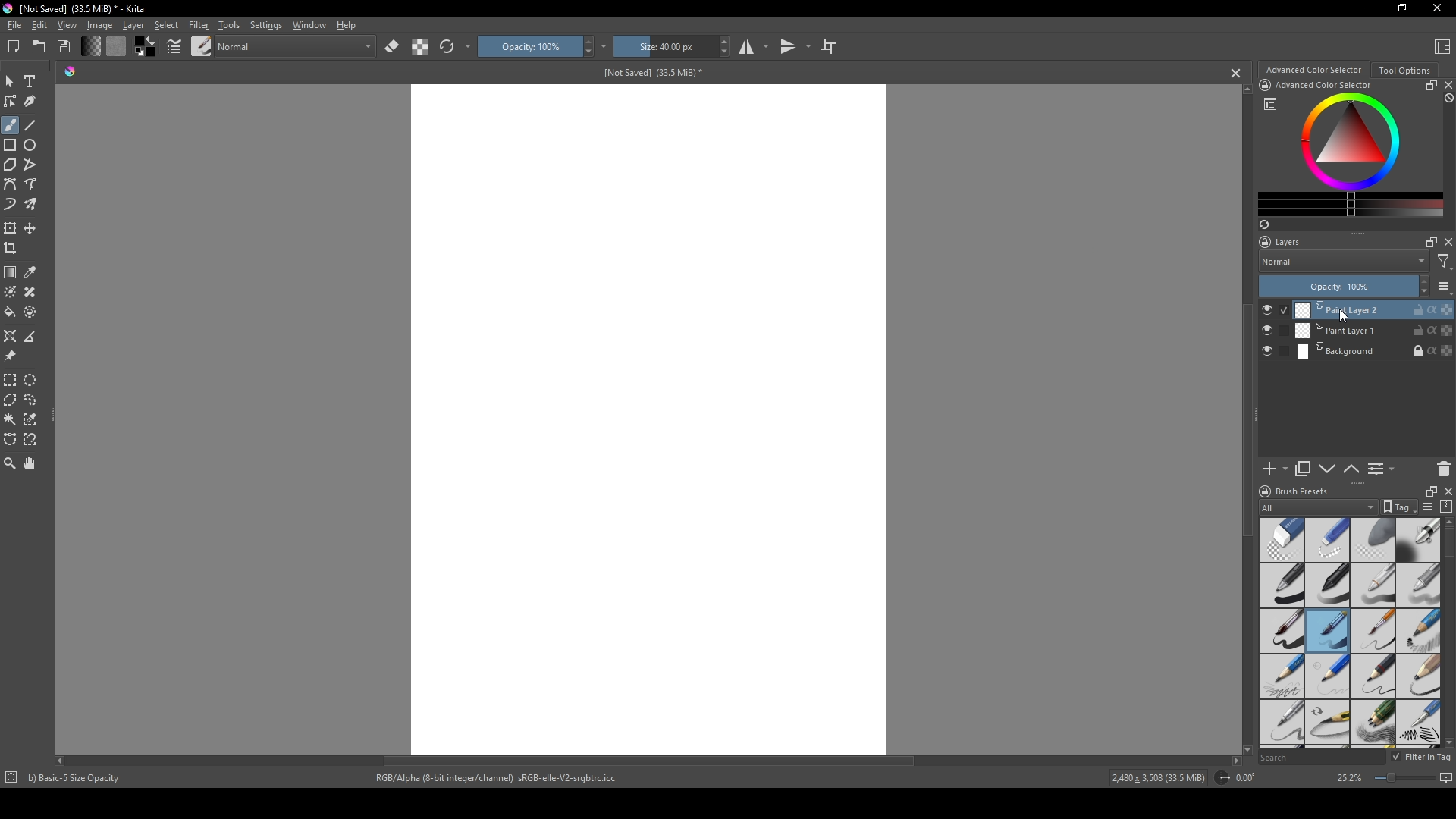 This screenshot has height=819, width=1456. I want to click on enclose and fill, so click(32, 312).